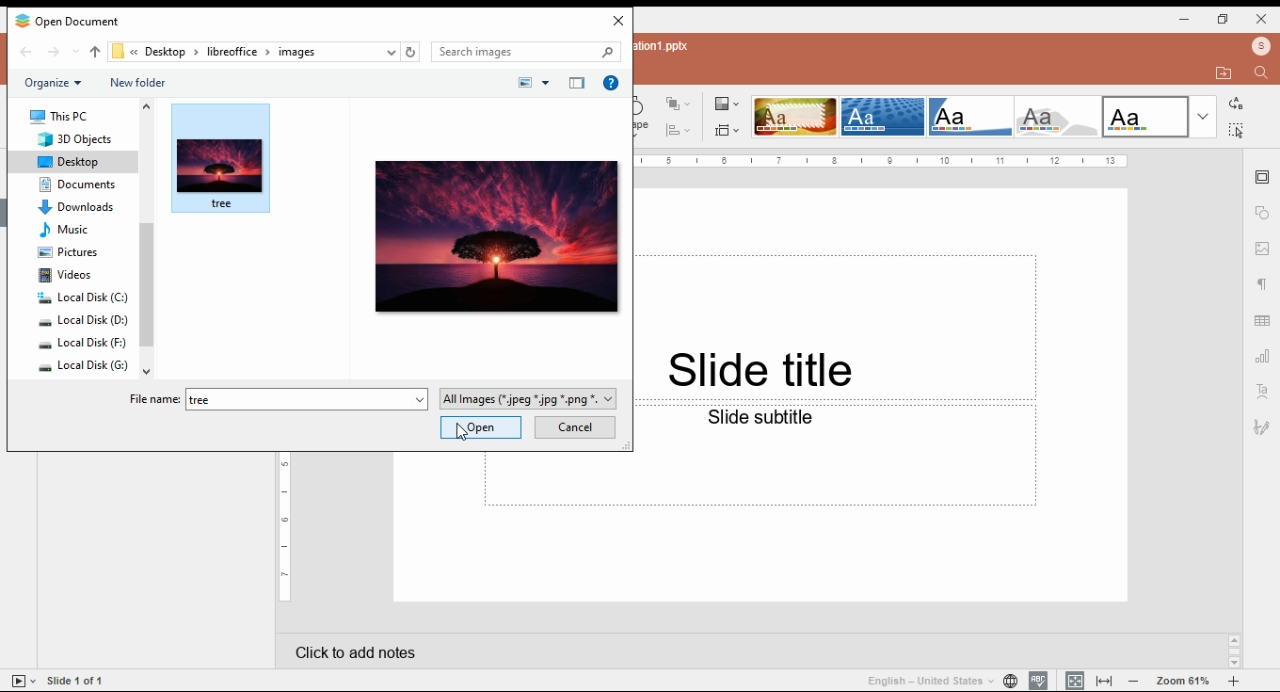 The width and height of the screenshot is (1280, 692). What do you see at coordinates (94, 51) in the screenshot?
I see `up` at bounding box center [94, 51].